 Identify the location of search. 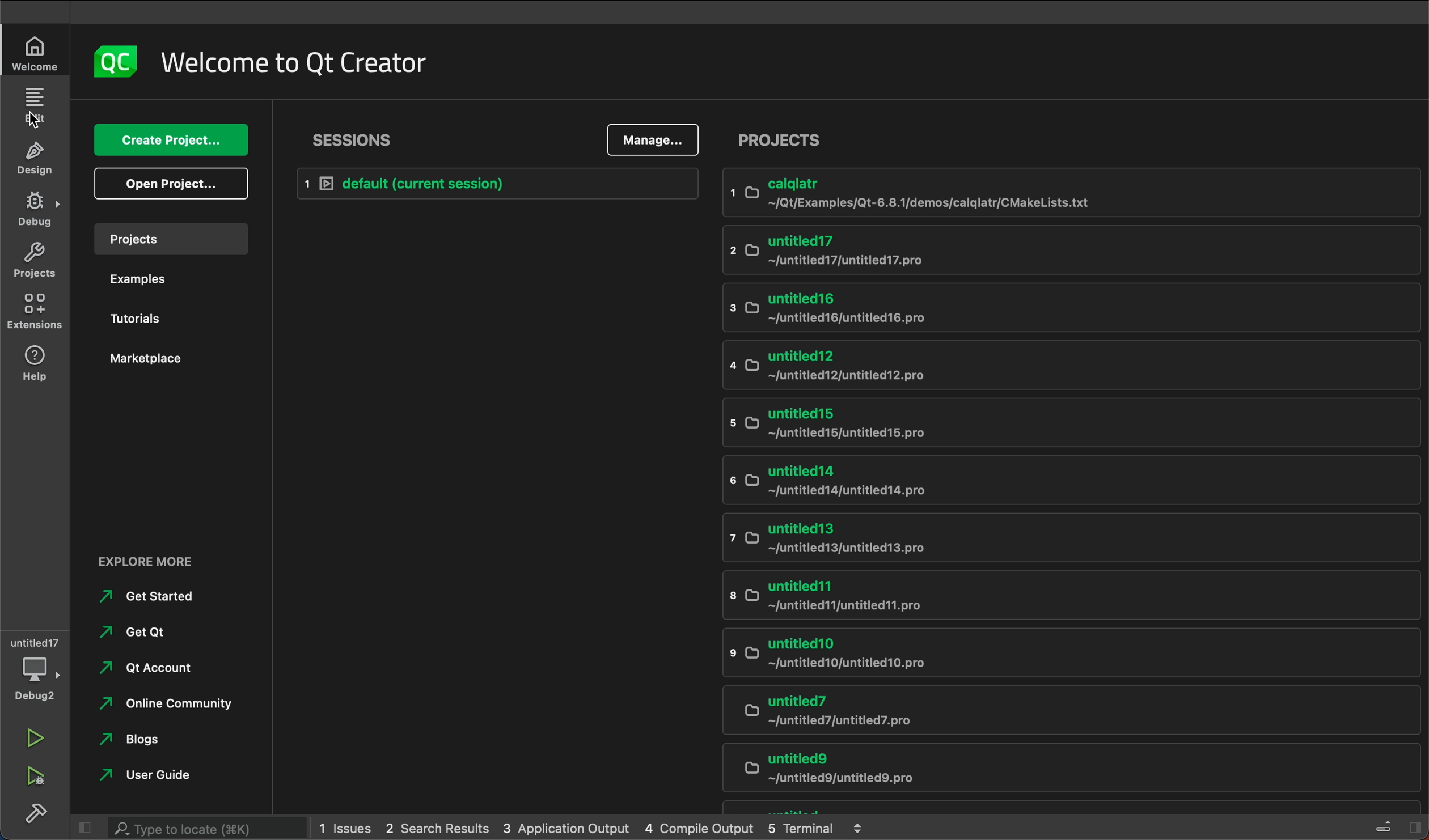
(209, 828).